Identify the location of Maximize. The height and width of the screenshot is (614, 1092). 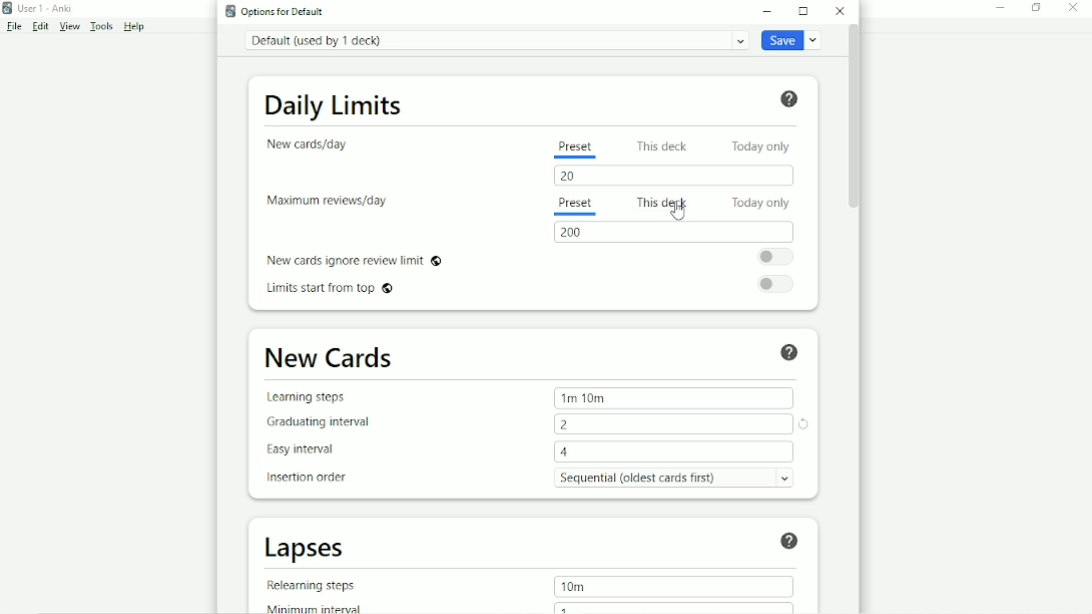
(804, 11).